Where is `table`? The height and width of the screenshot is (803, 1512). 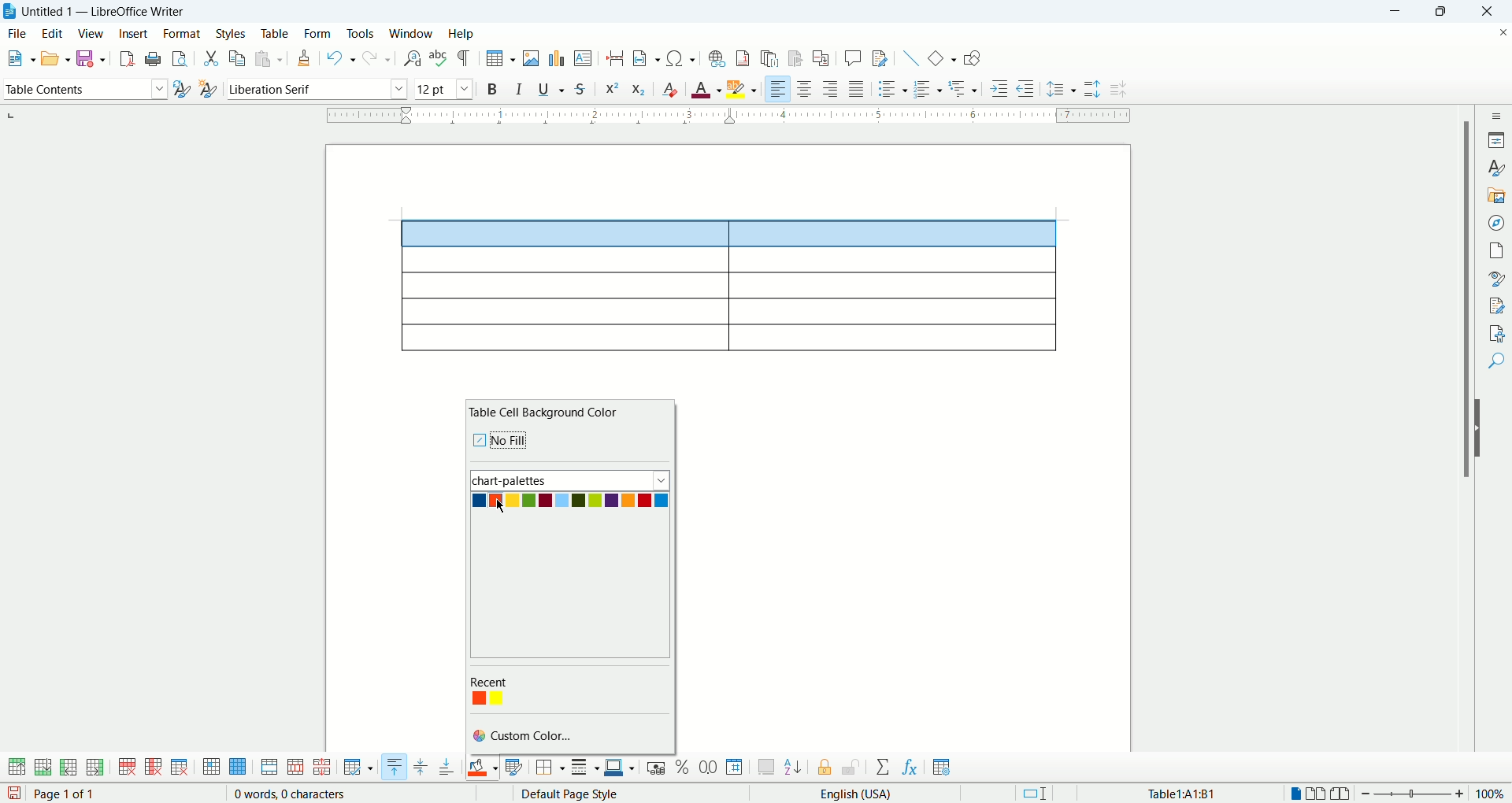 table is located at coordinates (275, 34).